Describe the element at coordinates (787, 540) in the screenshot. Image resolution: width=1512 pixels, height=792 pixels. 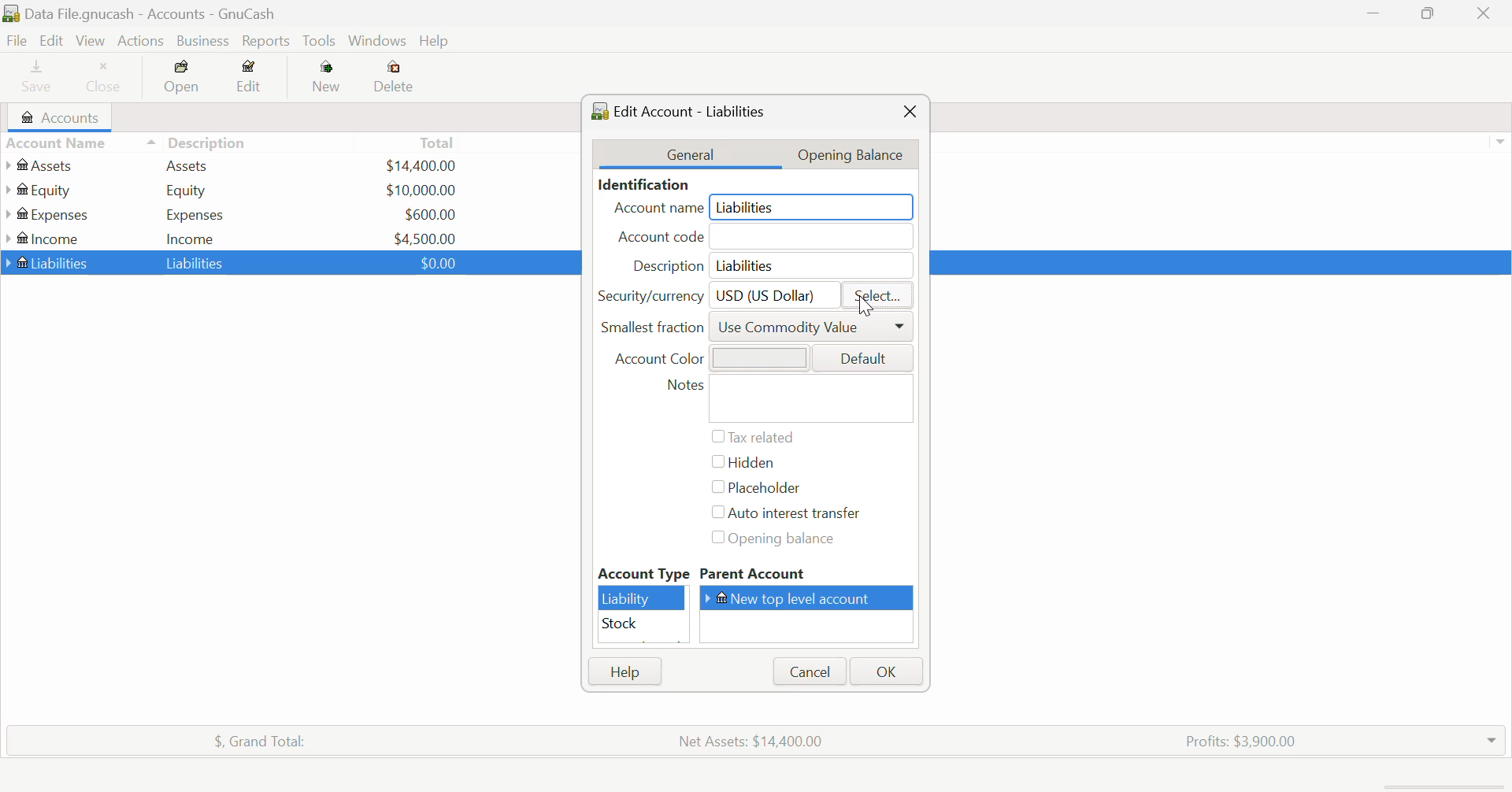
I see `Opening balance` at that location.